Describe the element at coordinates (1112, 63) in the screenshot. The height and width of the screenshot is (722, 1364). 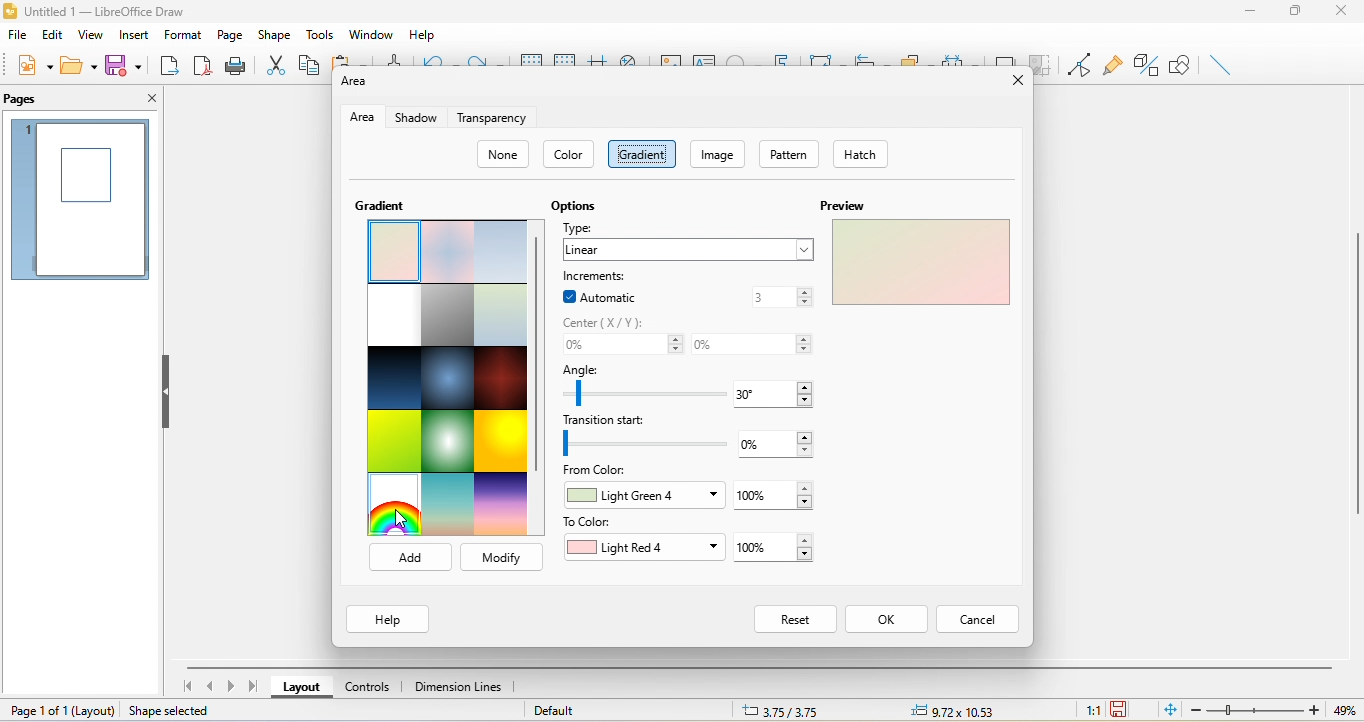
I see `glue point function` at that location.